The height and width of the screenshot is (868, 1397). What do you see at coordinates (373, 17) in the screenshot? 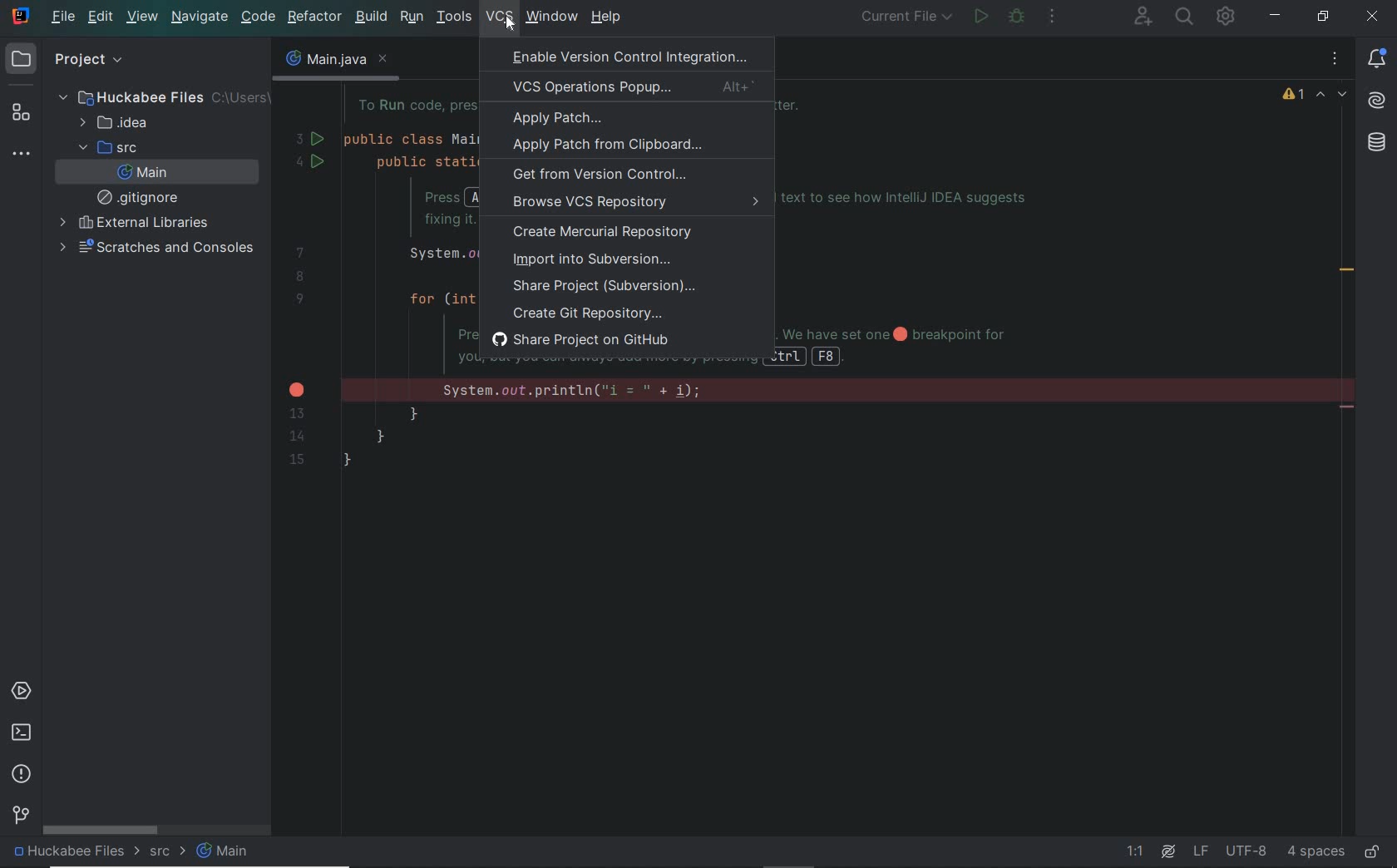
I see `build` at bounding box center [373, 17].